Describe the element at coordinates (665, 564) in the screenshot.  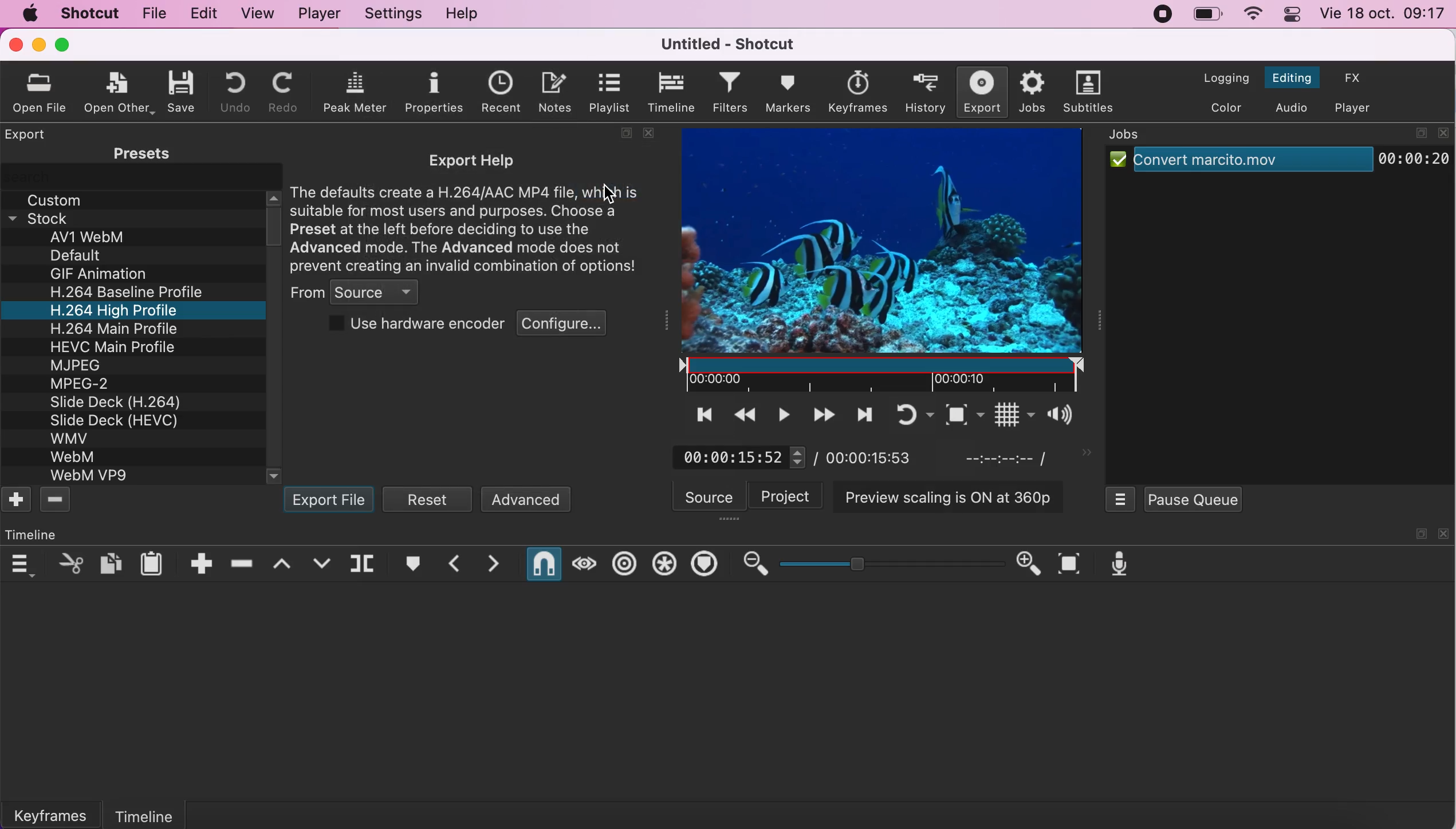
I see `ripple all tracks` at that location.